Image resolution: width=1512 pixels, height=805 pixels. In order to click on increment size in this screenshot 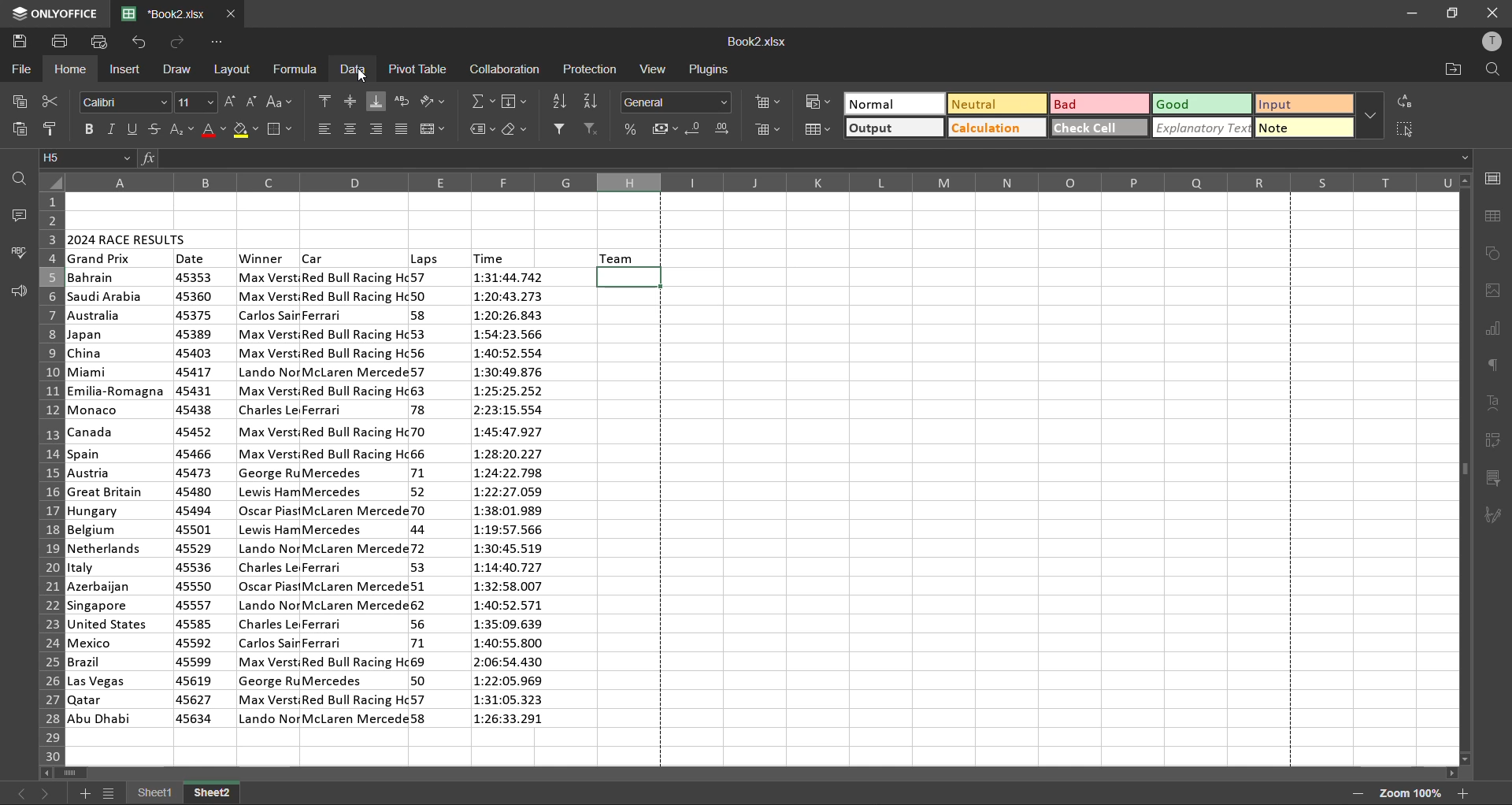, I will do `click(232, 103)`.